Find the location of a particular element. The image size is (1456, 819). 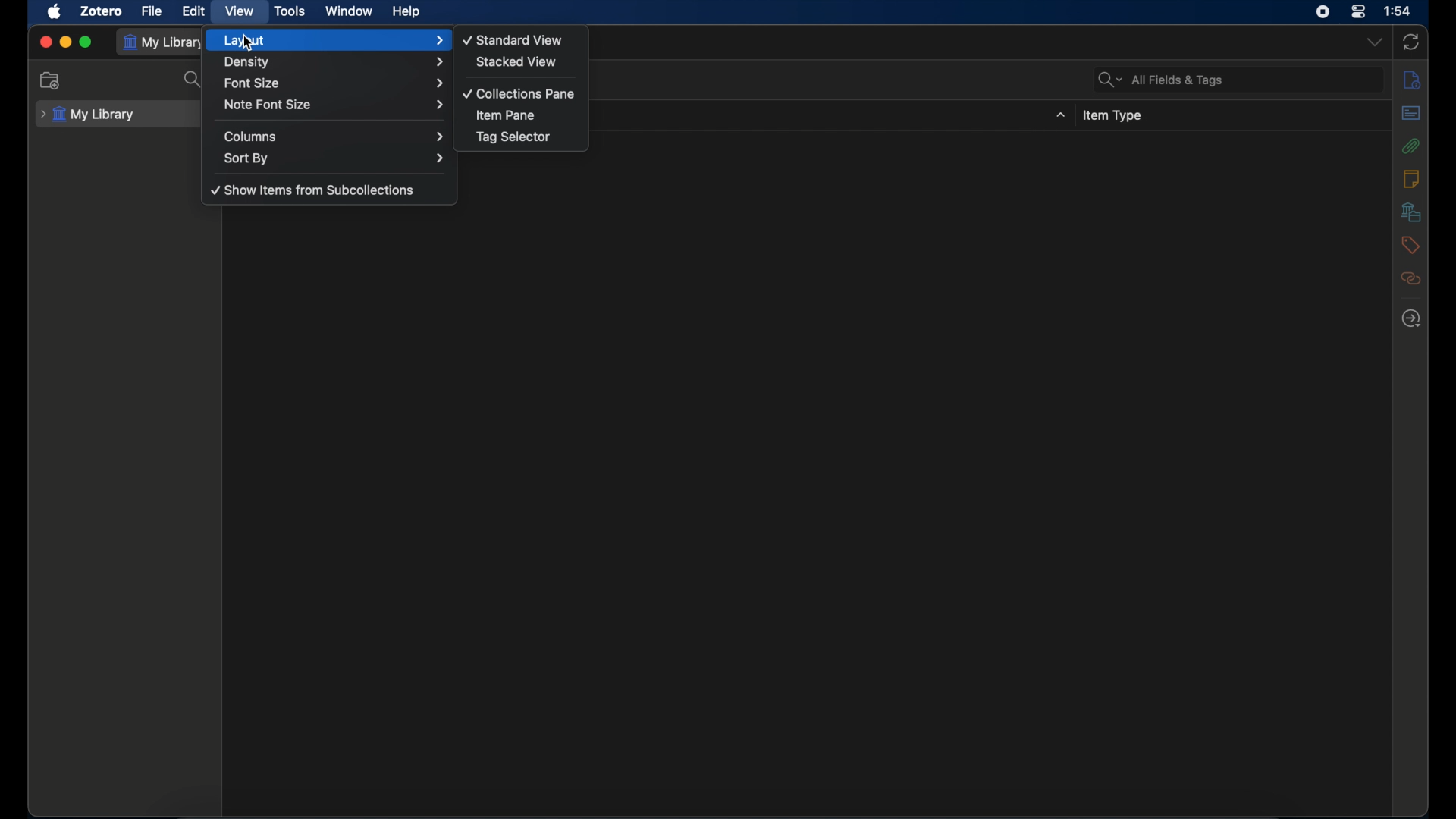

edit is located at coordinates (194, 11).